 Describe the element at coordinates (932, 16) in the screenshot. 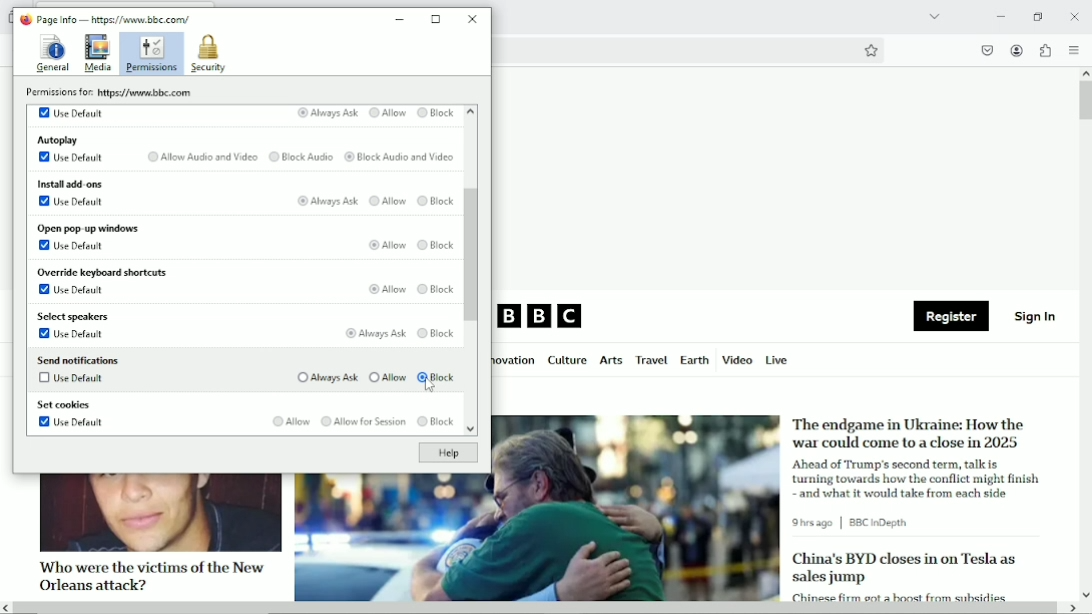

I see `List all tabs` at that location.